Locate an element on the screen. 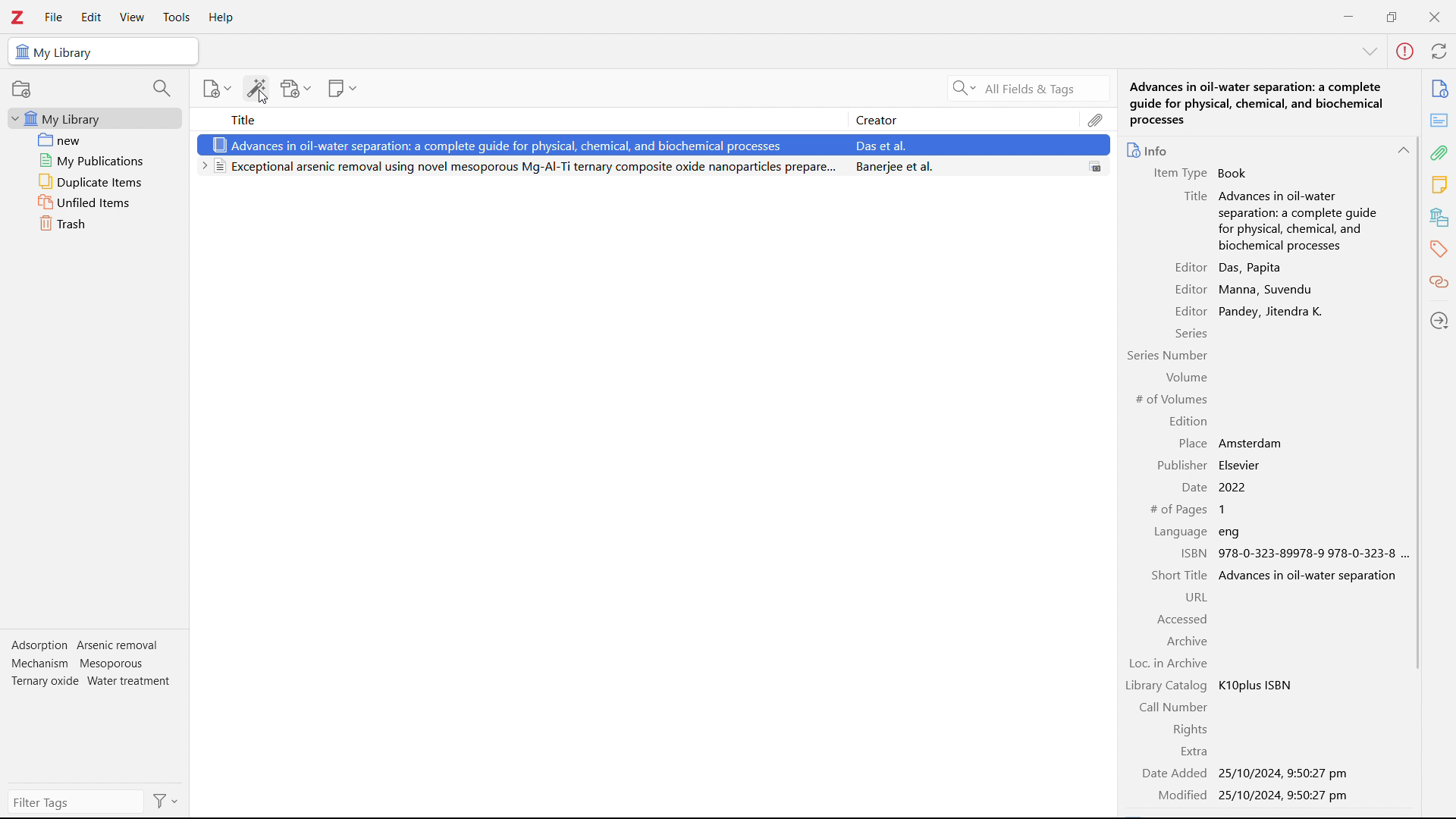 This screenshot has height=819, width=1456. Accessed is located at coordinates (1181, 619).